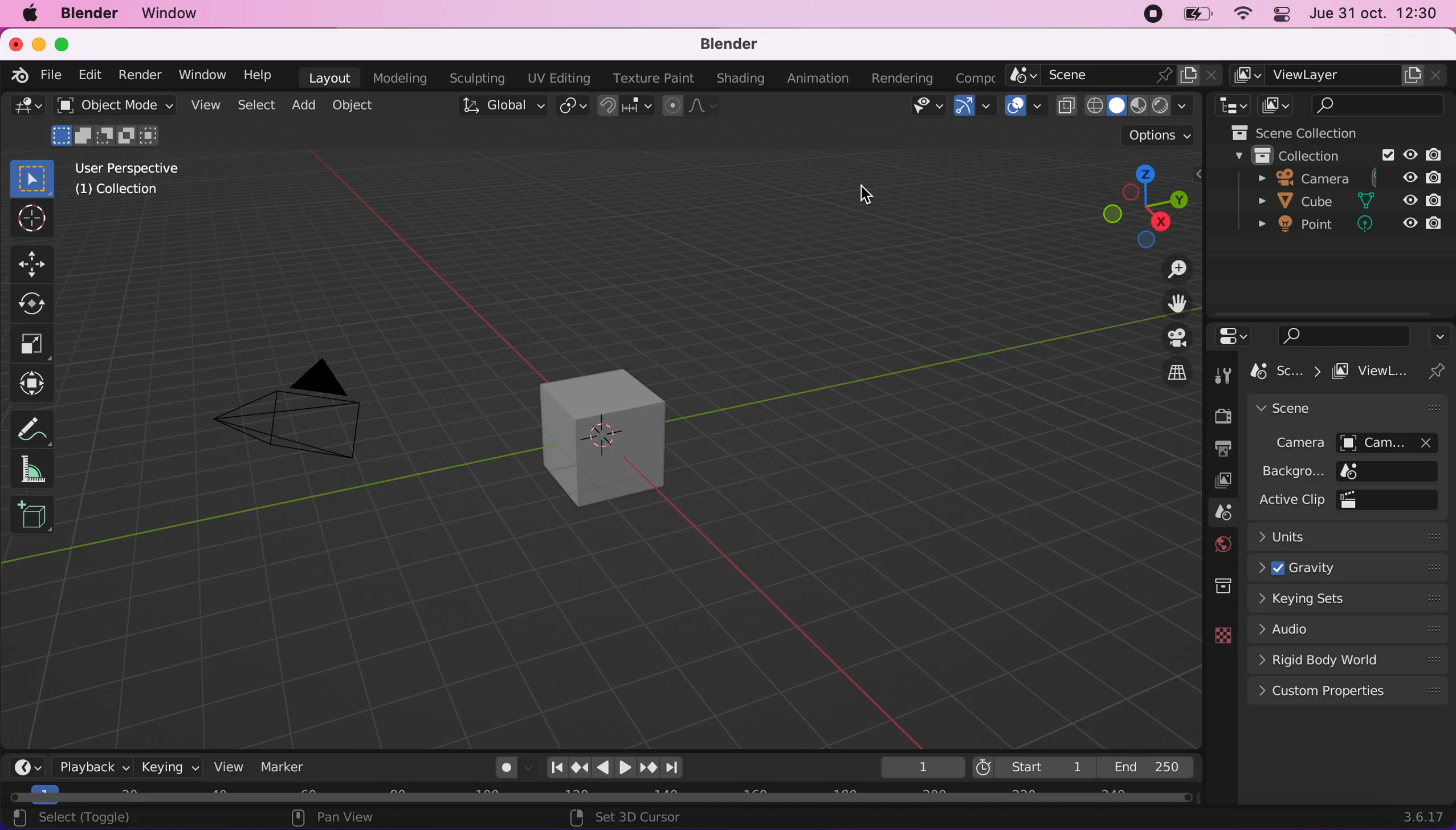  Describe the element at coordinates (578, 768) in the screenshot. I see `Jump to keyframe` at that location.